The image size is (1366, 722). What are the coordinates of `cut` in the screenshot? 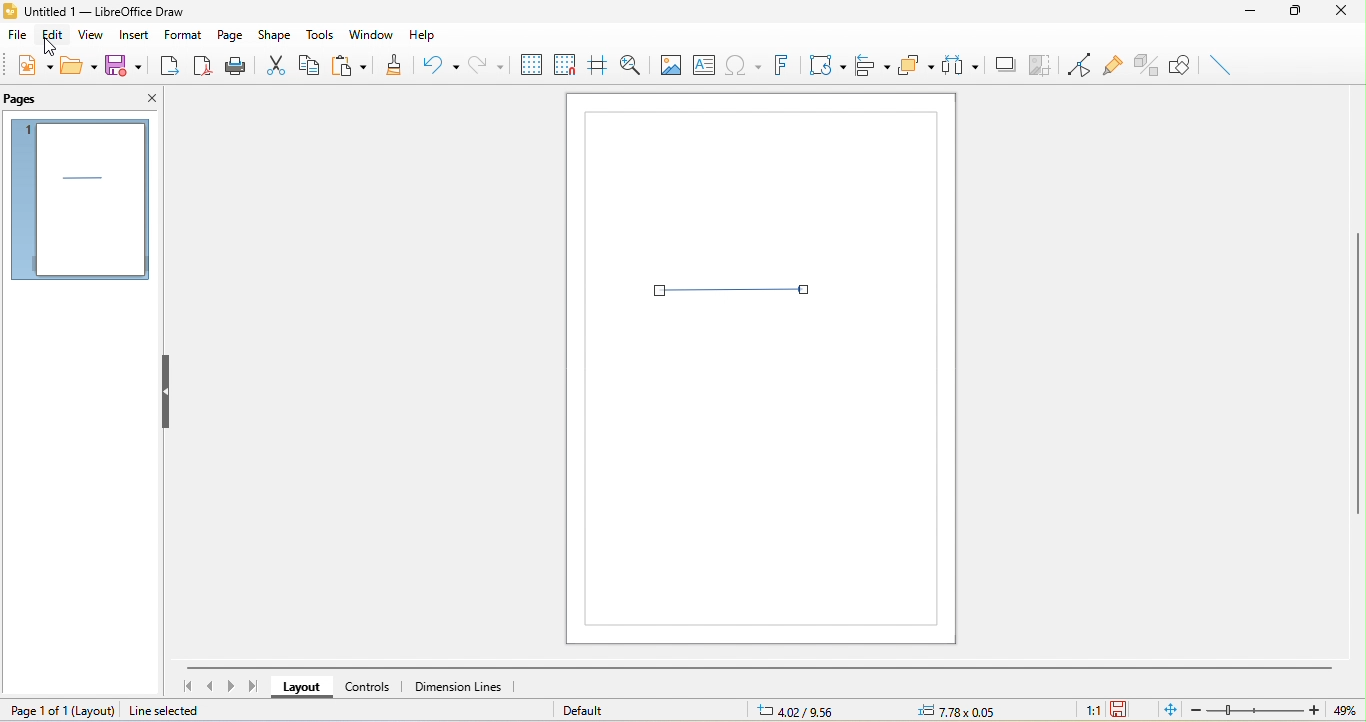 It's located at (281, 64).